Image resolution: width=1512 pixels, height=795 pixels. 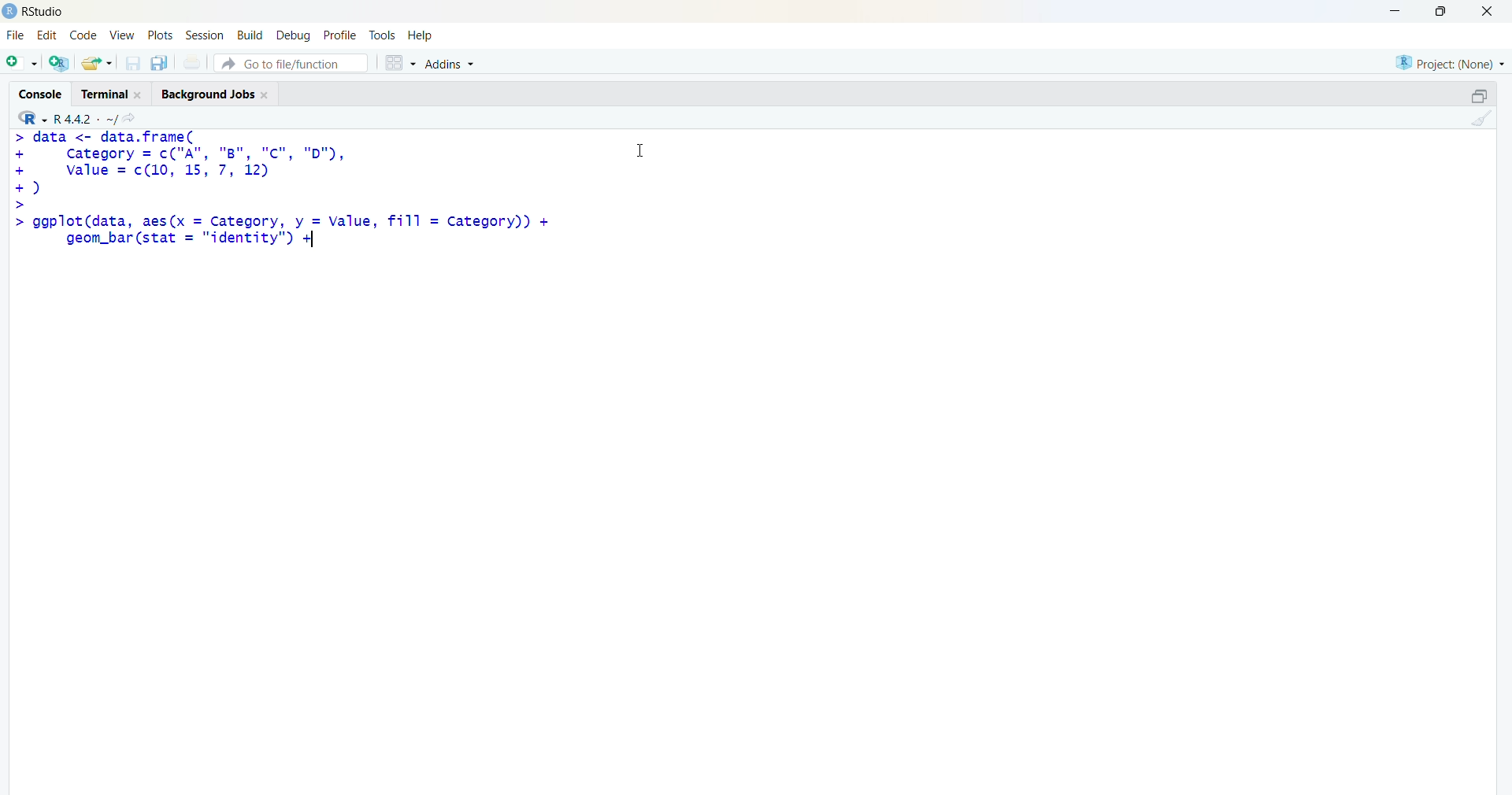 What do you see at coordinates (34, 118) in the screenshot?
I see `R language` at bounding box center [34, 118].